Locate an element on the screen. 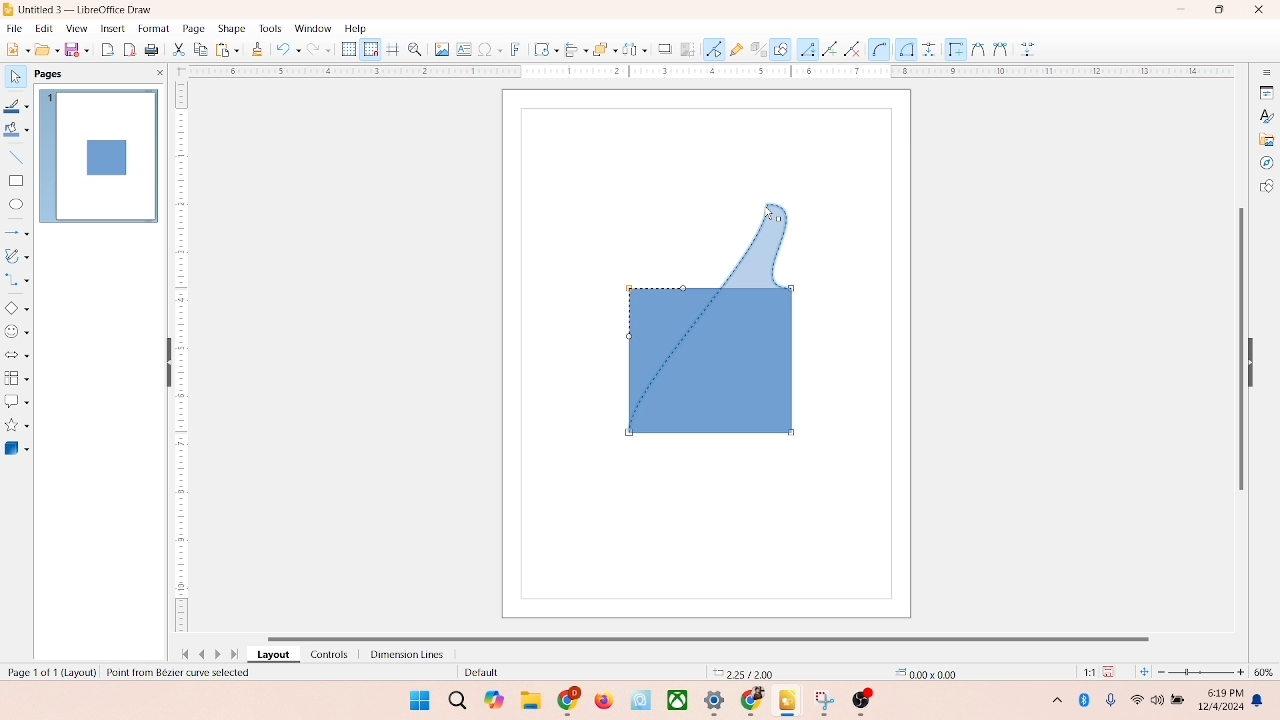 The height and width of the screenshot is (720, 1280). Arc tool is located at coordinates (856, 49).